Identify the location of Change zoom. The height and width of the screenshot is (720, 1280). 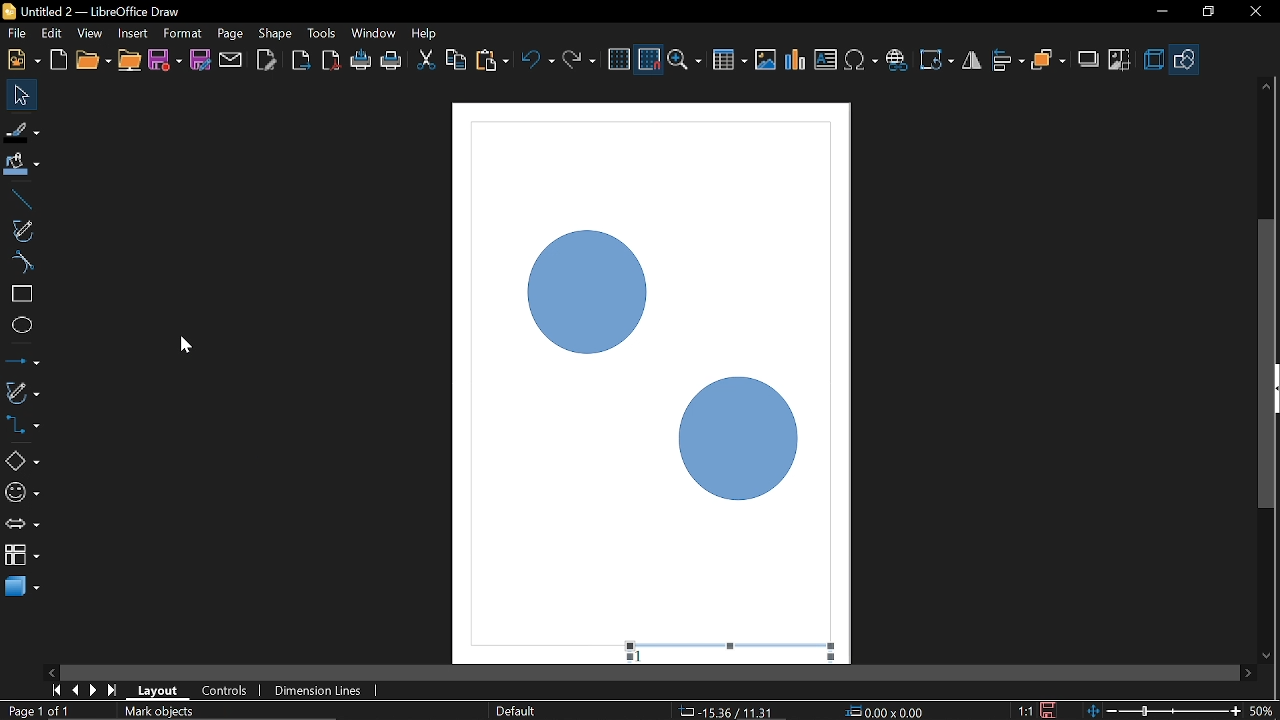
(1166, 709).